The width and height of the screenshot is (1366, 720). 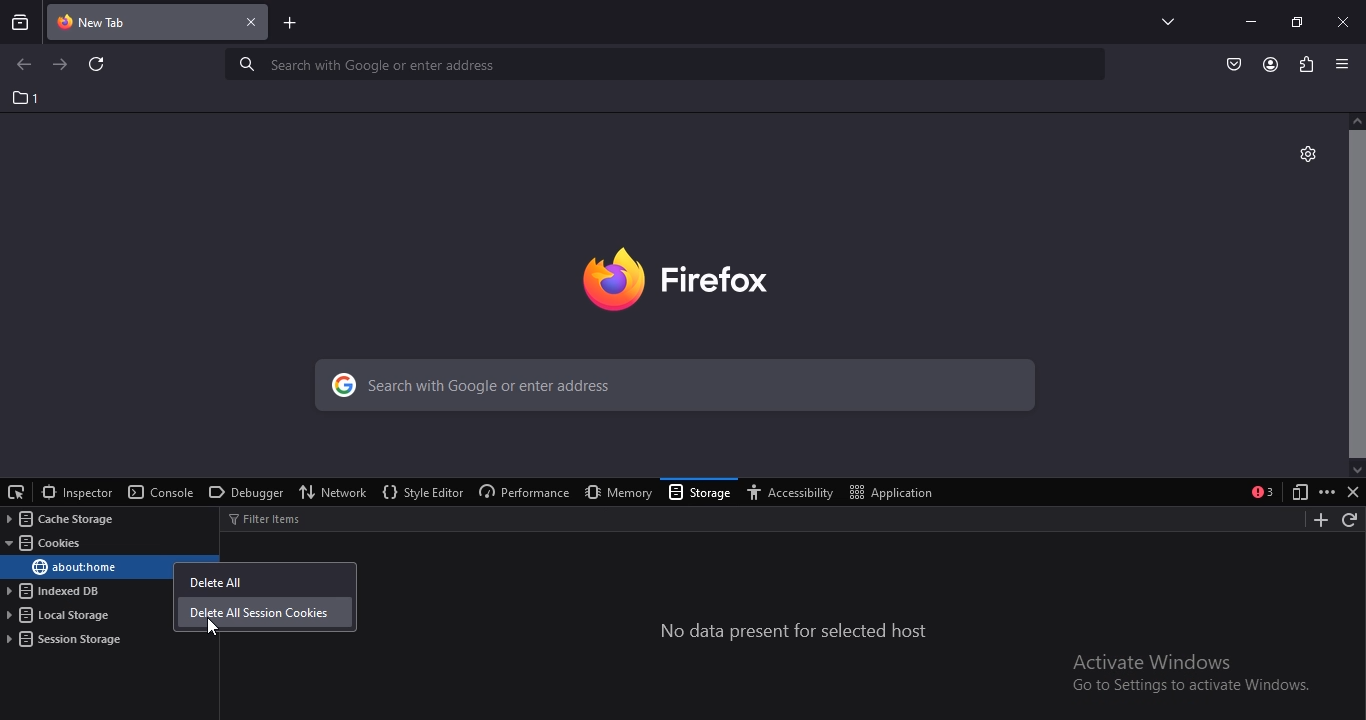 What do you see at coordinates (1356, 293) in the screenshot?
I see `scroll bar` at bounding box center [1356, 293].